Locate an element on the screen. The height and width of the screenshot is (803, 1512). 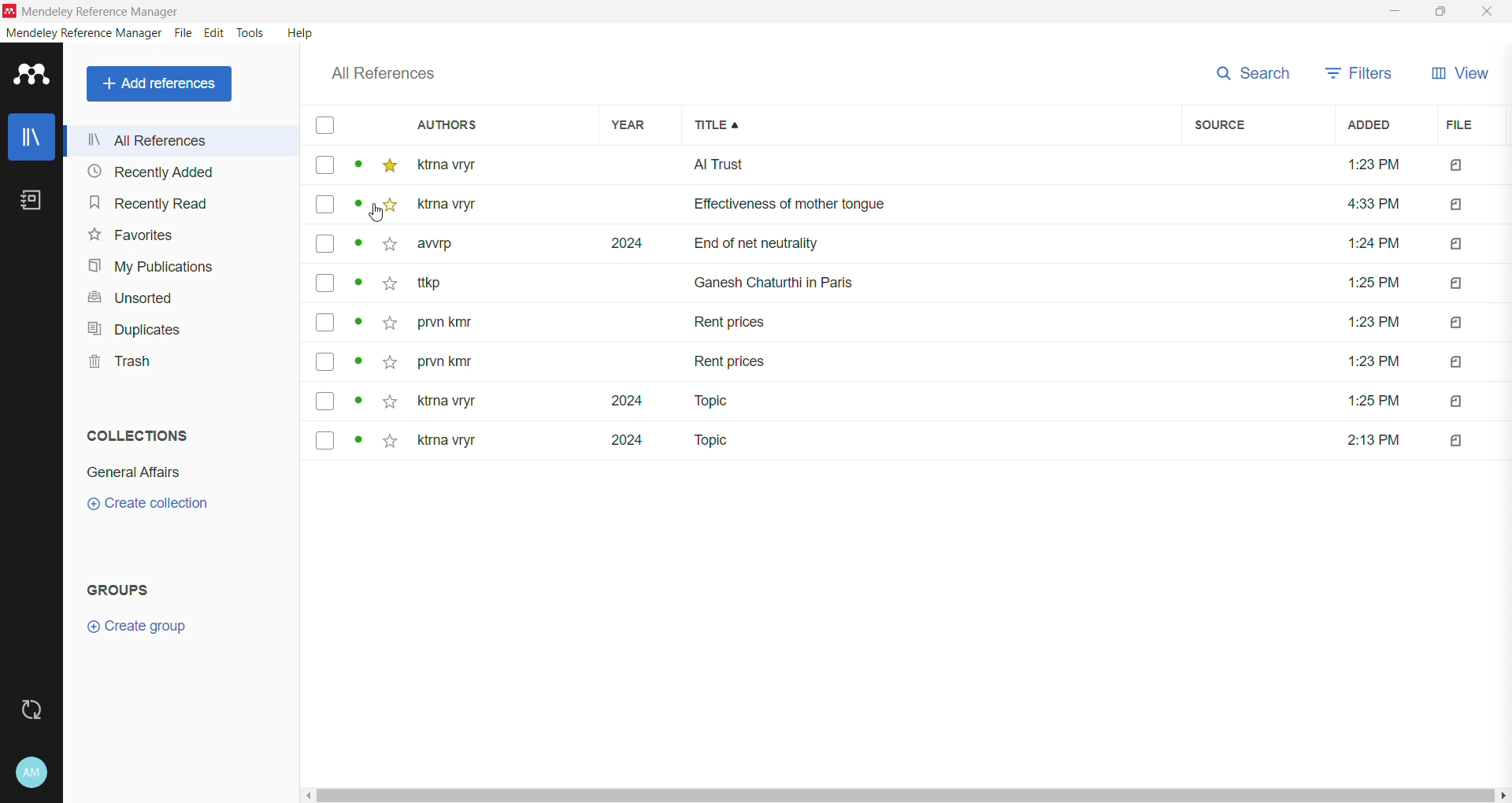
~ ttkp is located at coordinates (455, 283).